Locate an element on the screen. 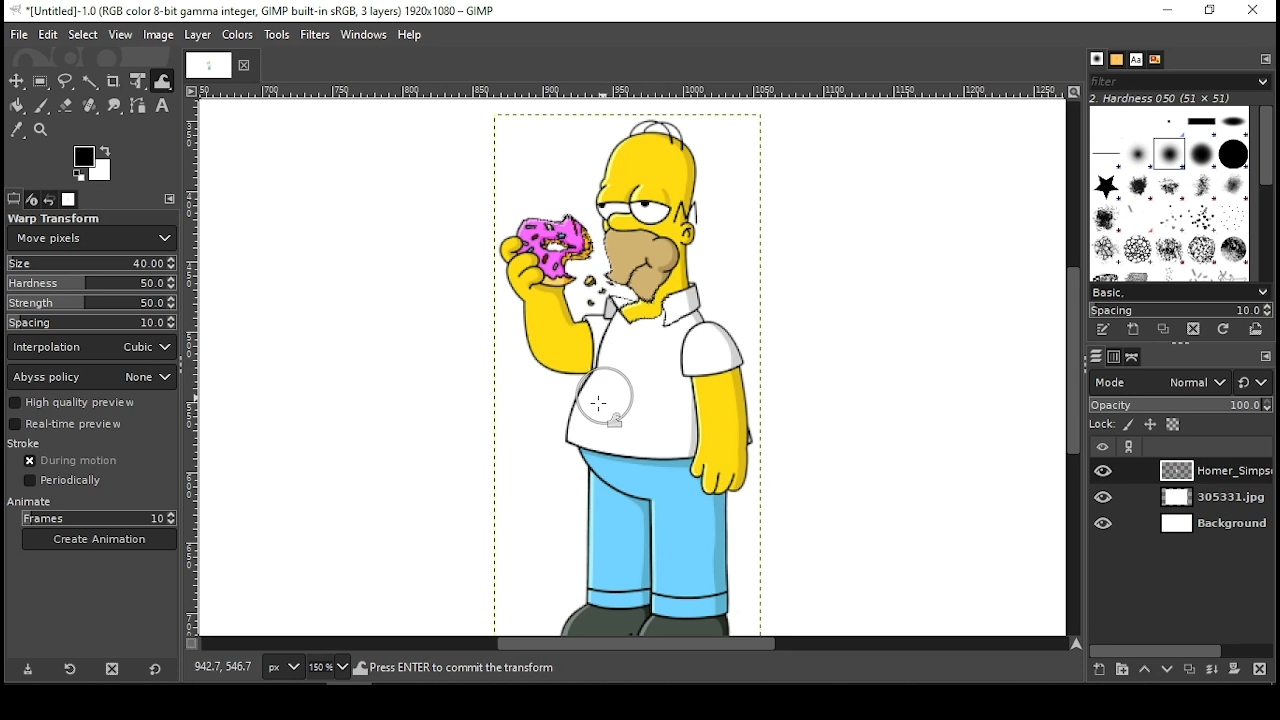  size is located at coordinates (91, 263).